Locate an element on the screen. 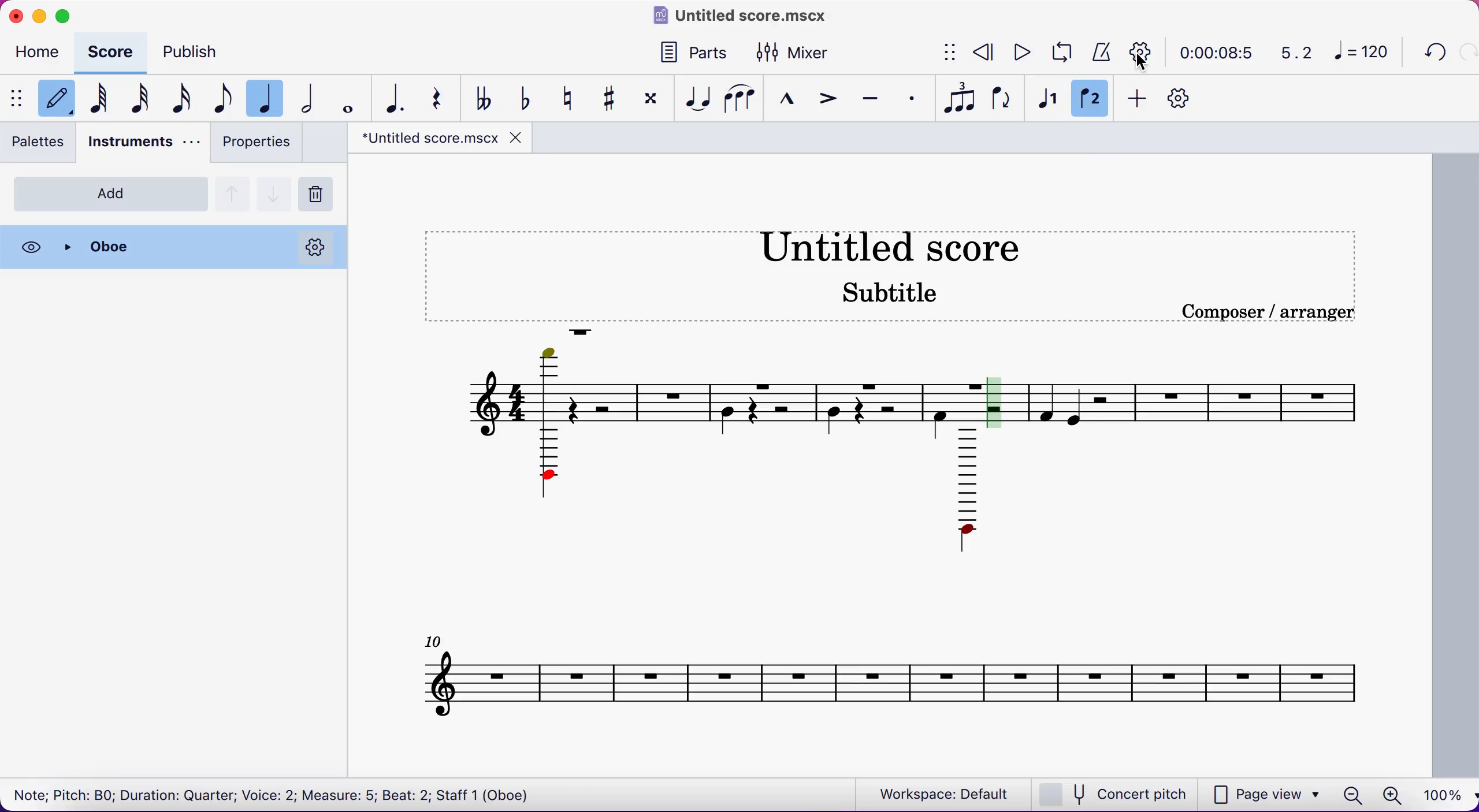 The height and width of the screenshot is (812, 1479). playback loop is located at coordinates (1063, 53).